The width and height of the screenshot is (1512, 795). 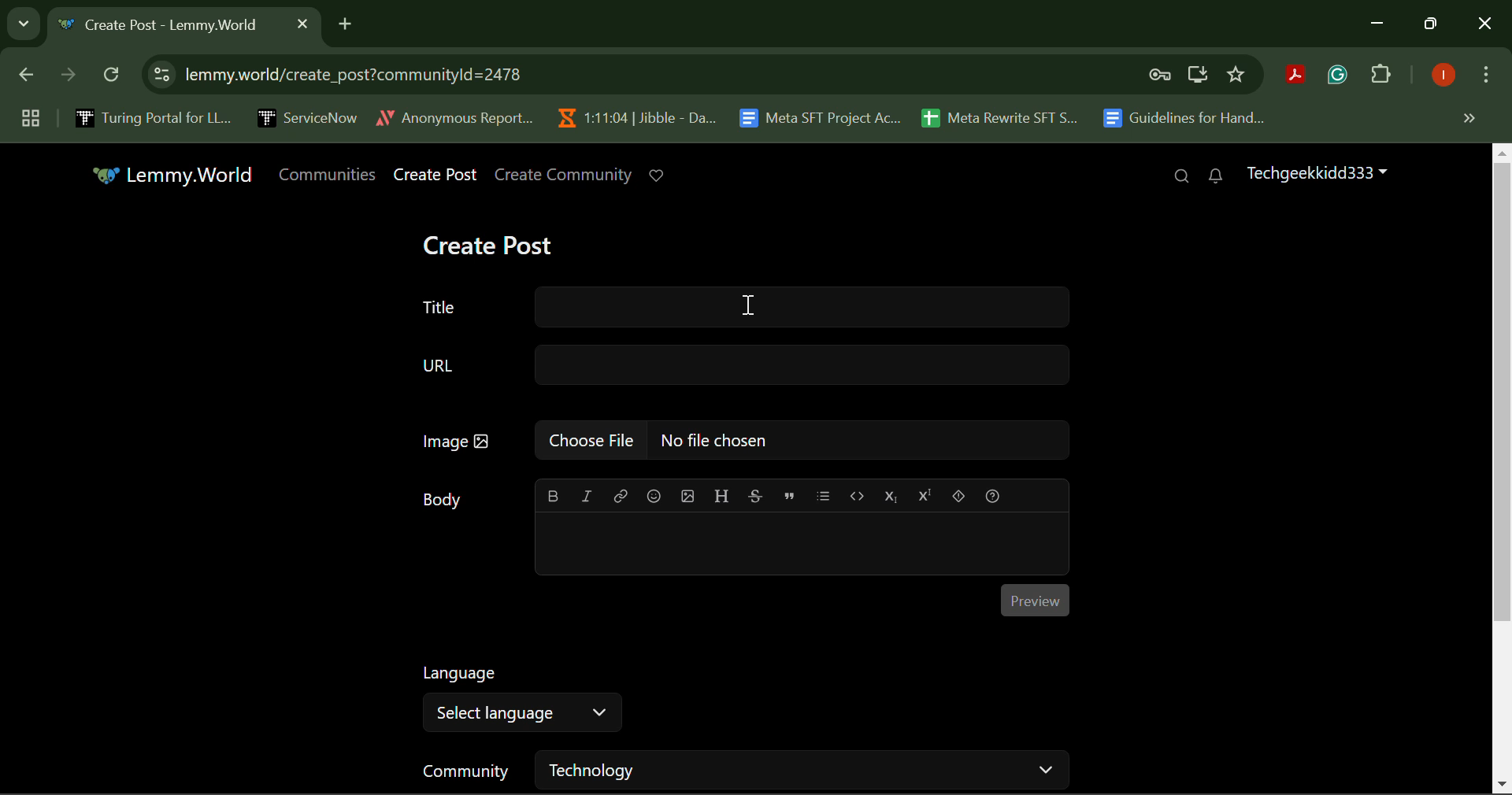 I want to click on More Options, so click(x=1484, y=78).